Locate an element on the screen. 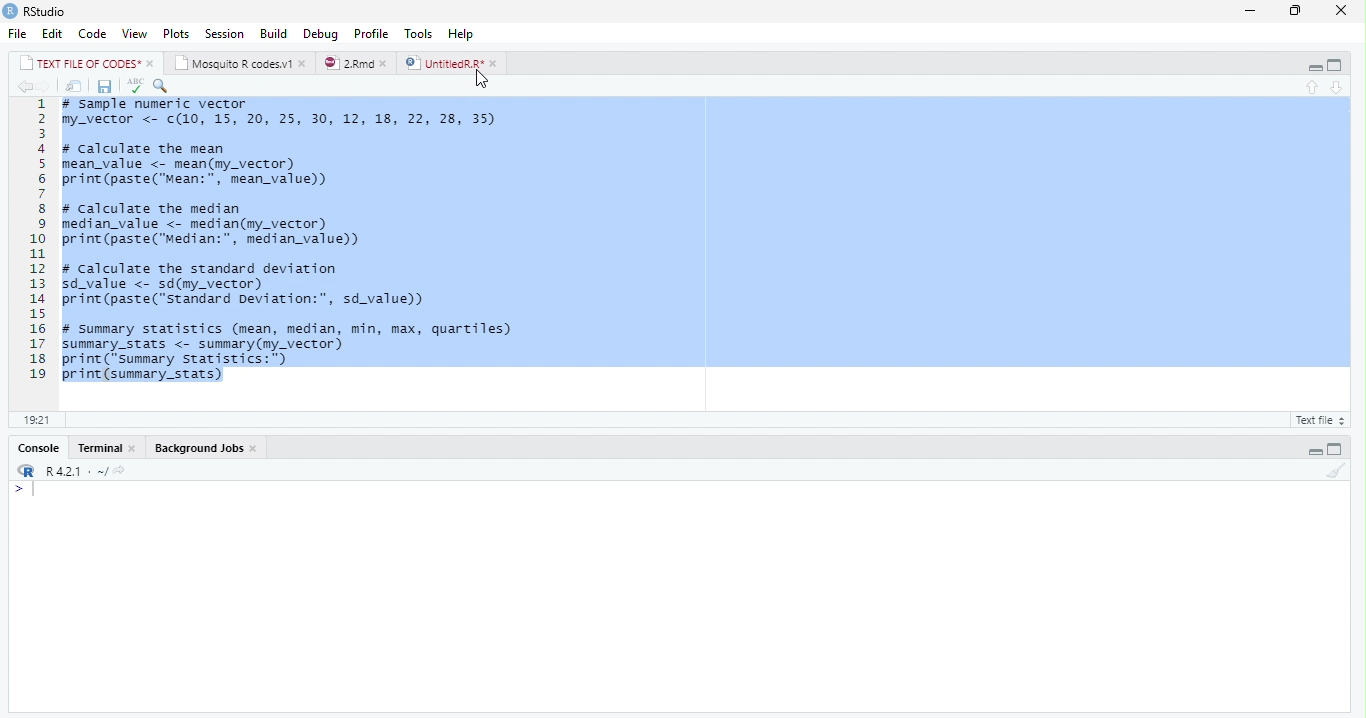  tools is located at coordinates (420, 34).